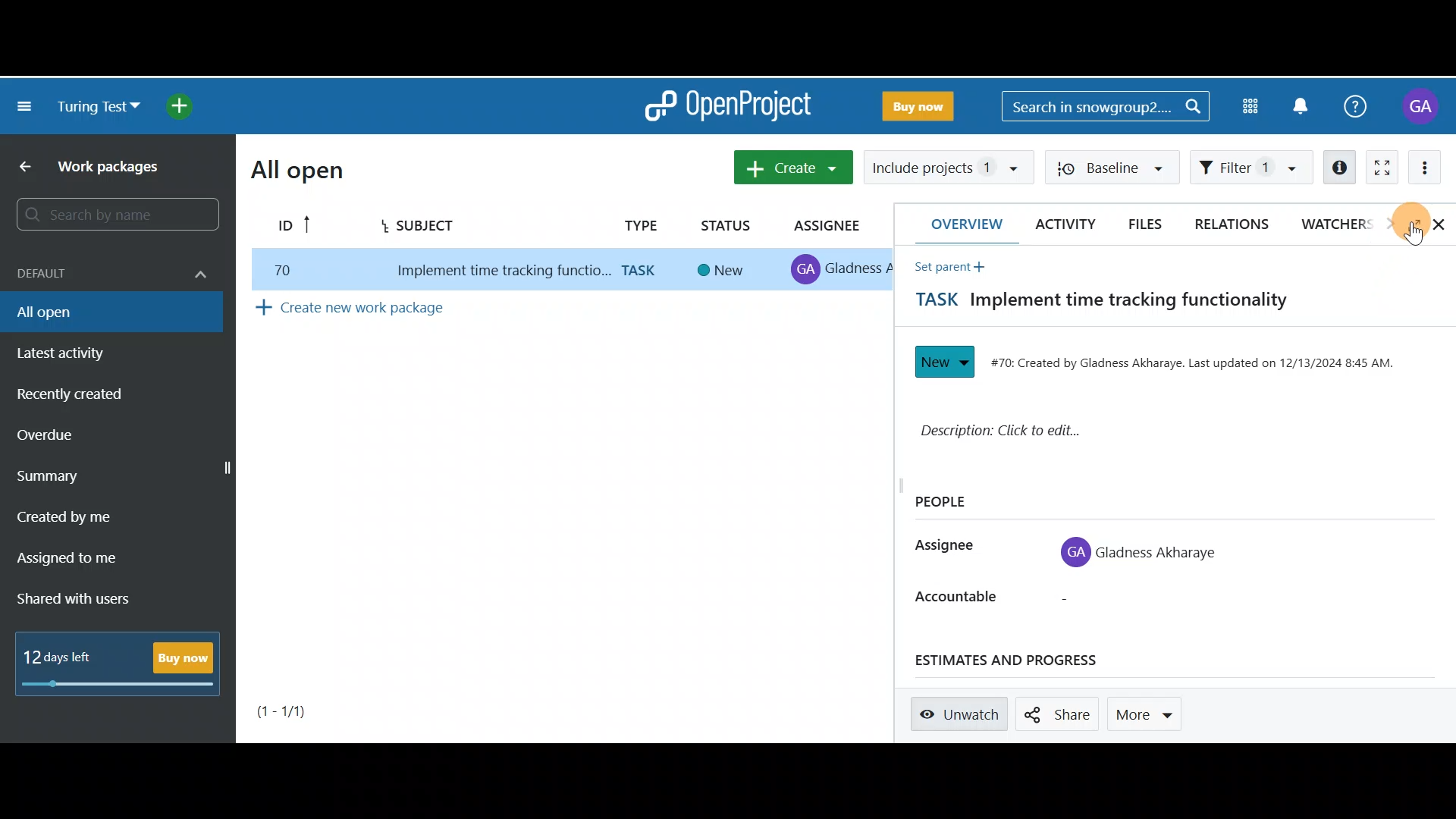 The width and height of the screenshot is (1456, 819). What do you see at coordinates (120, 479) in the screenshot?
I see `Summary` at bounding box center [120, 479].